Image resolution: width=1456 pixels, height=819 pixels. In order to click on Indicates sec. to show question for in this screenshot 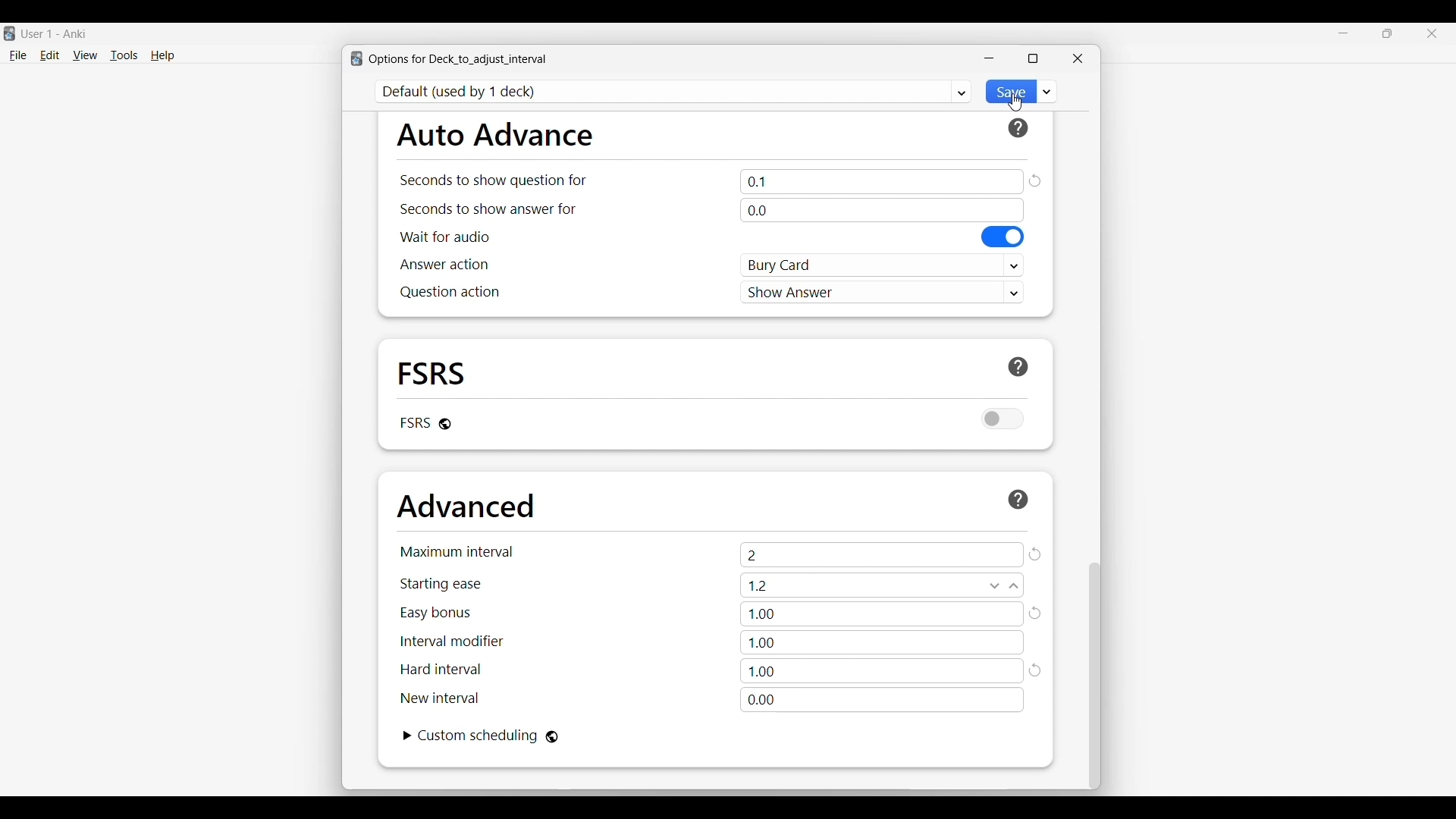, I will do `click(492, 180)`.